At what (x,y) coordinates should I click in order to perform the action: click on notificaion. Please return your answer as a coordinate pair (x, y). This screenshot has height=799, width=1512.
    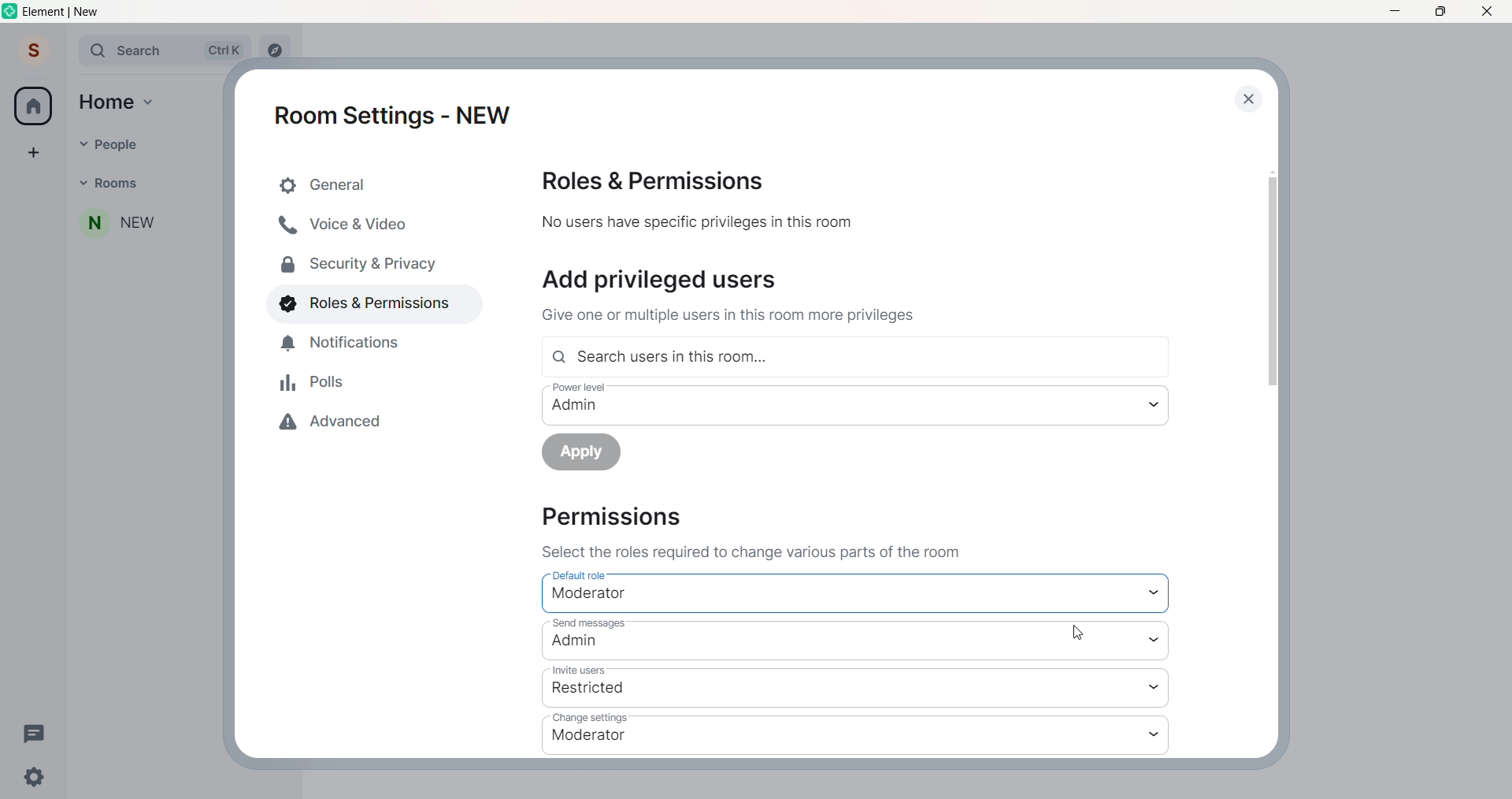
    Looking at the image, I should click on (340, 347).